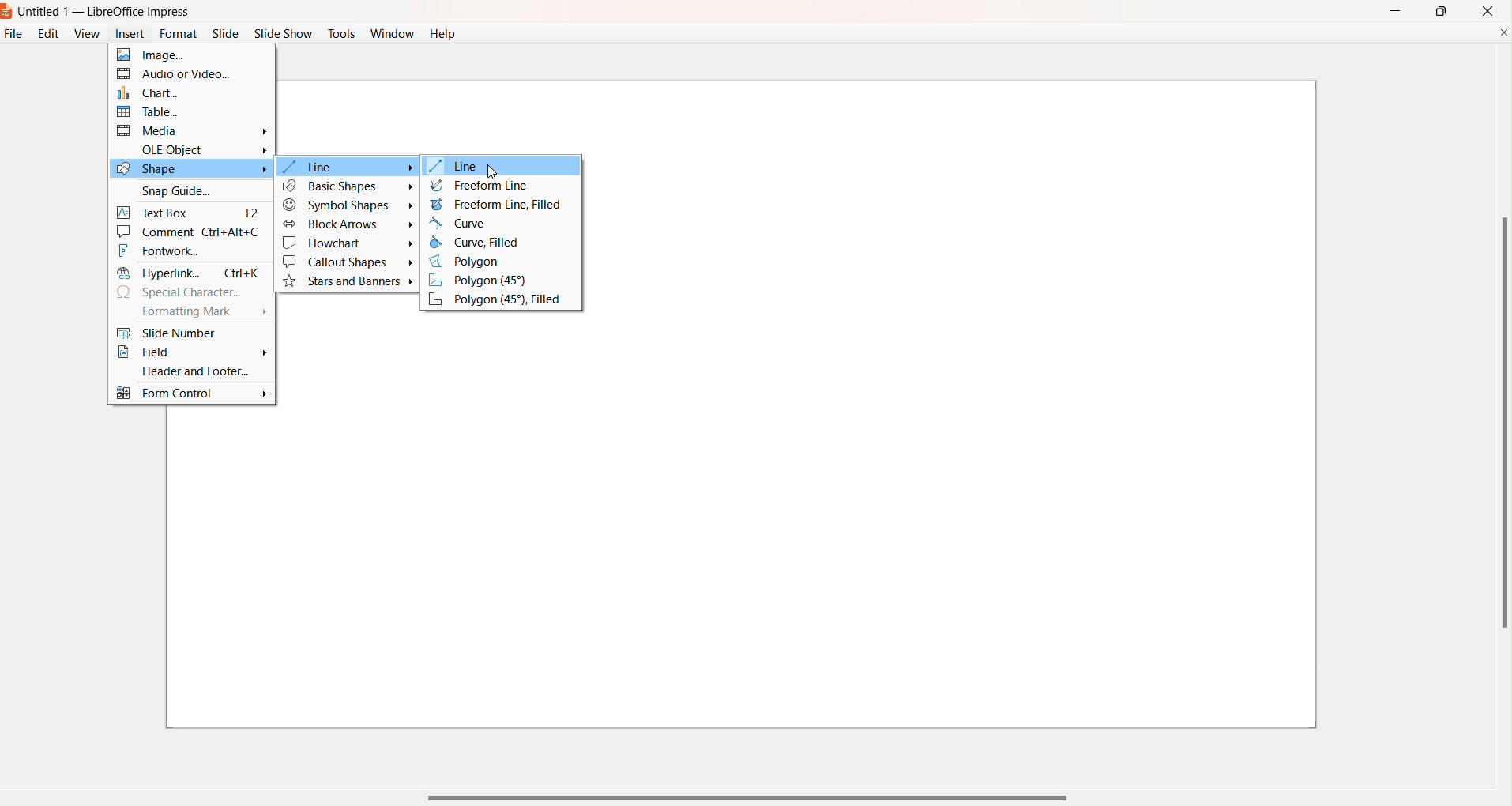  What do you see at coordinates (185, 292) in the screenshot?
I see `Special Character` at bounding box center [185, 292].